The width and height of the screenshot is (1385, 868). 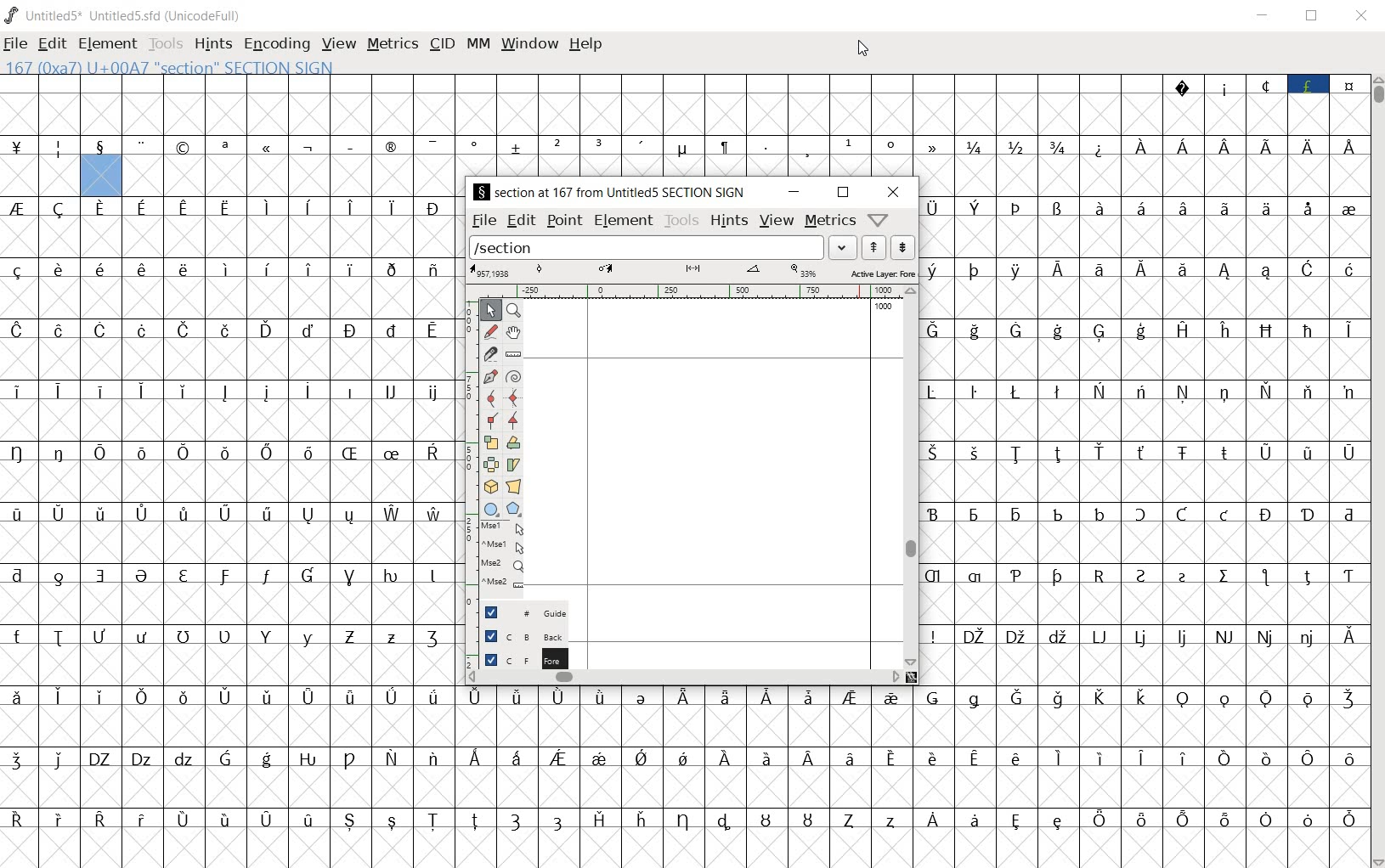 I want to click on special letters, so click(x=1145, y=330).